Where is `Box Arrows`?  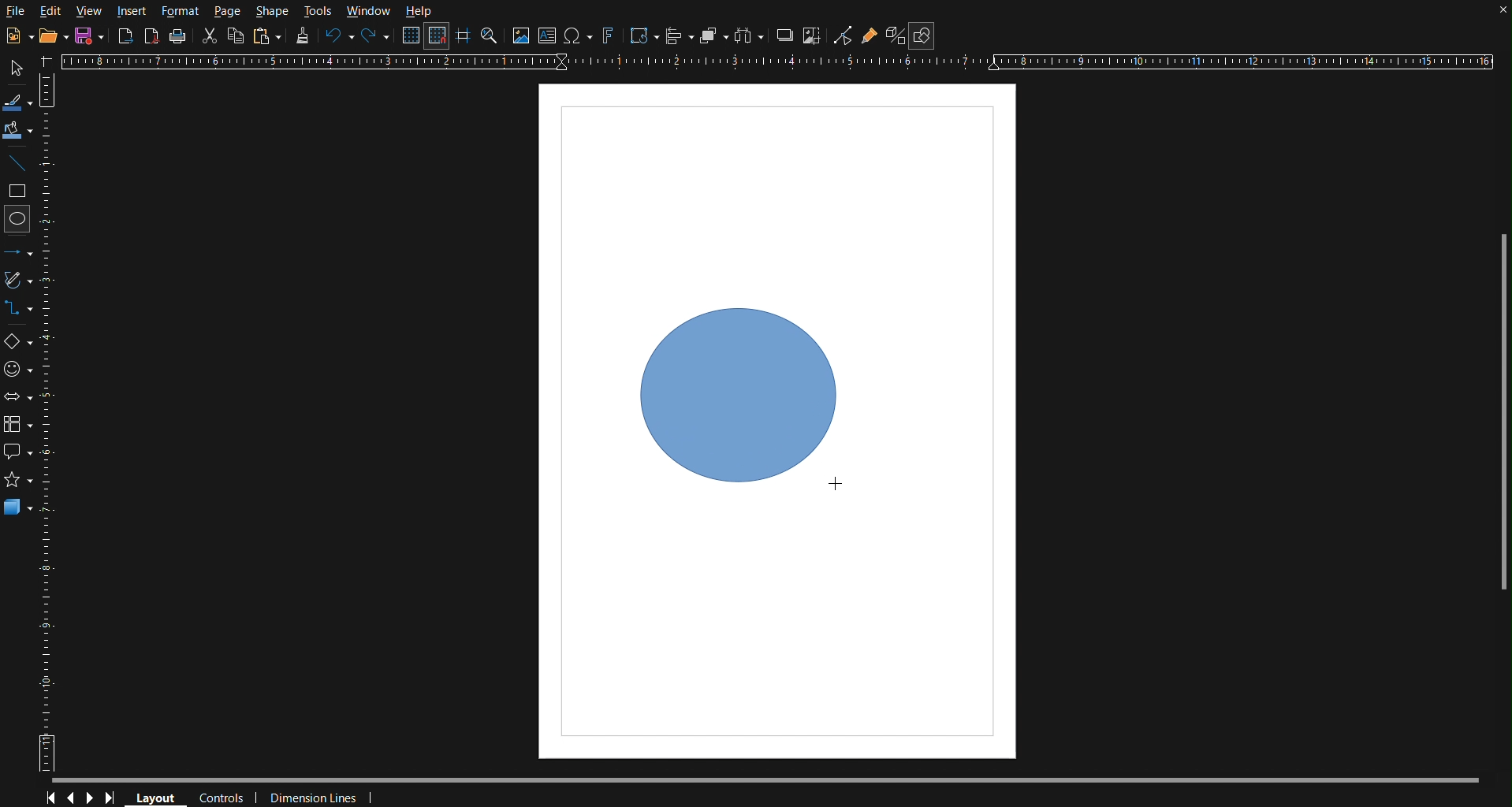
Box Arrows is located at coordinates (18, 402).